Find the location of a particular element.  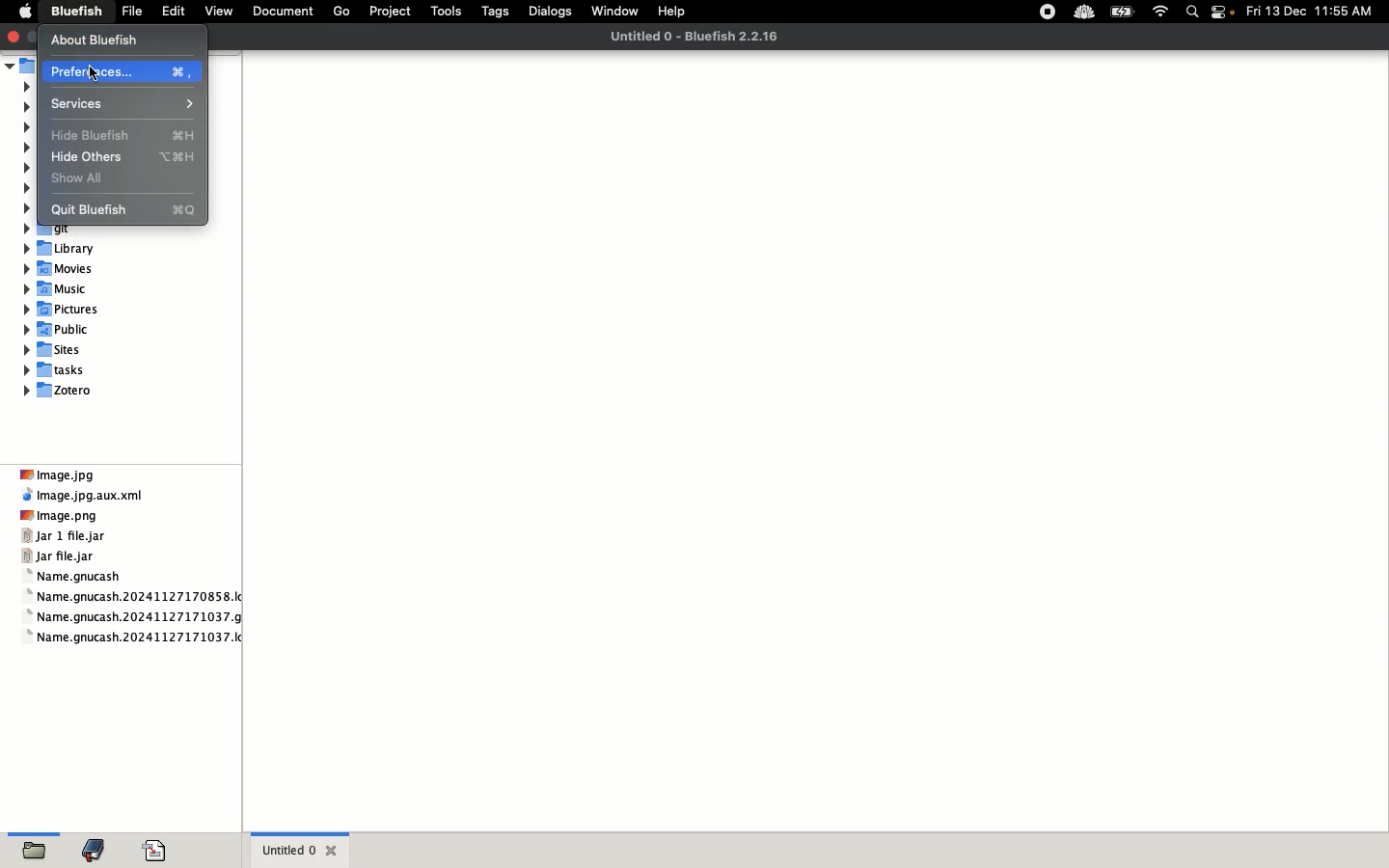

File is located at coordinates (129, 12).